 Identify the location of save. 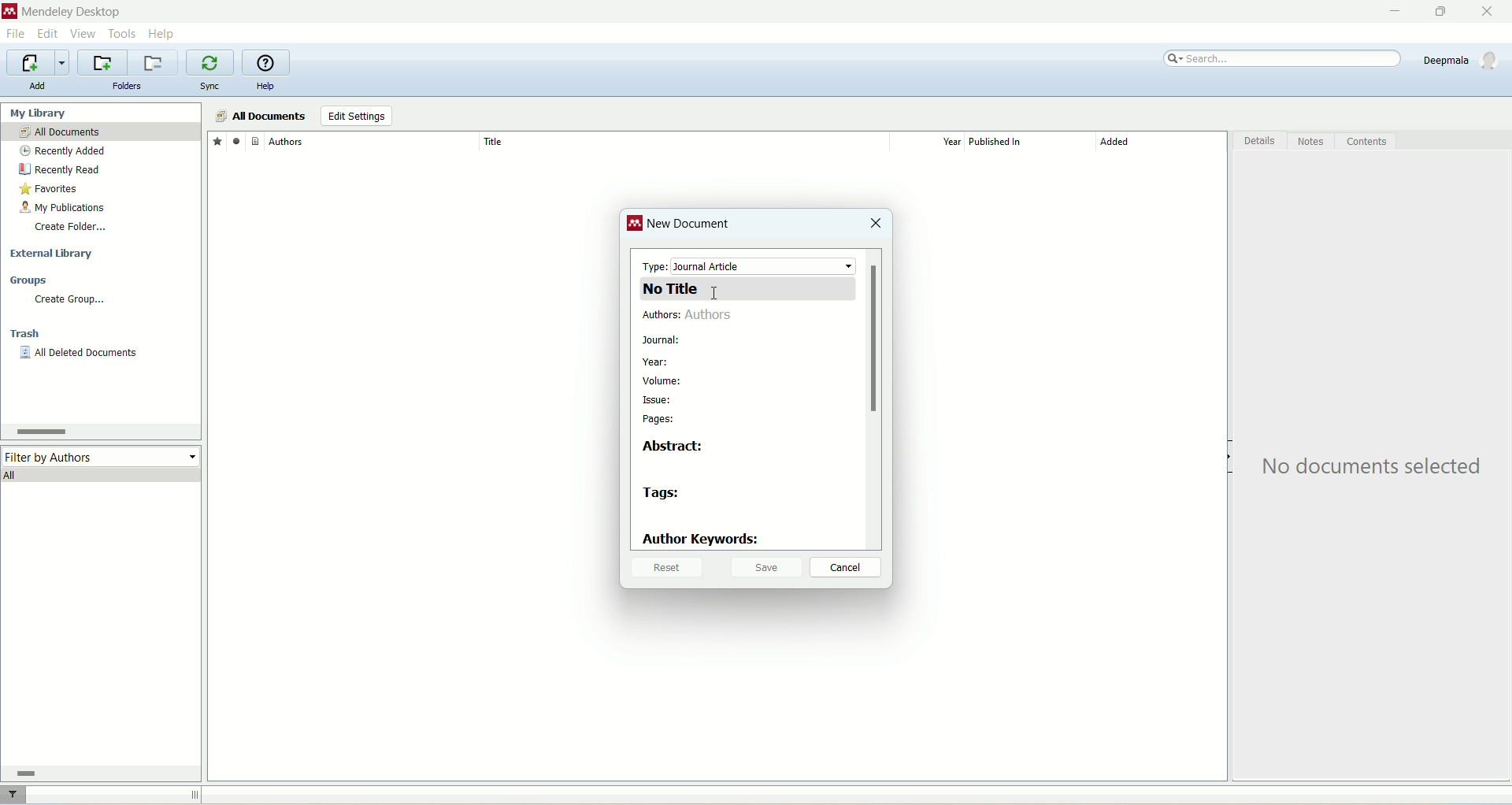
(767, 566).